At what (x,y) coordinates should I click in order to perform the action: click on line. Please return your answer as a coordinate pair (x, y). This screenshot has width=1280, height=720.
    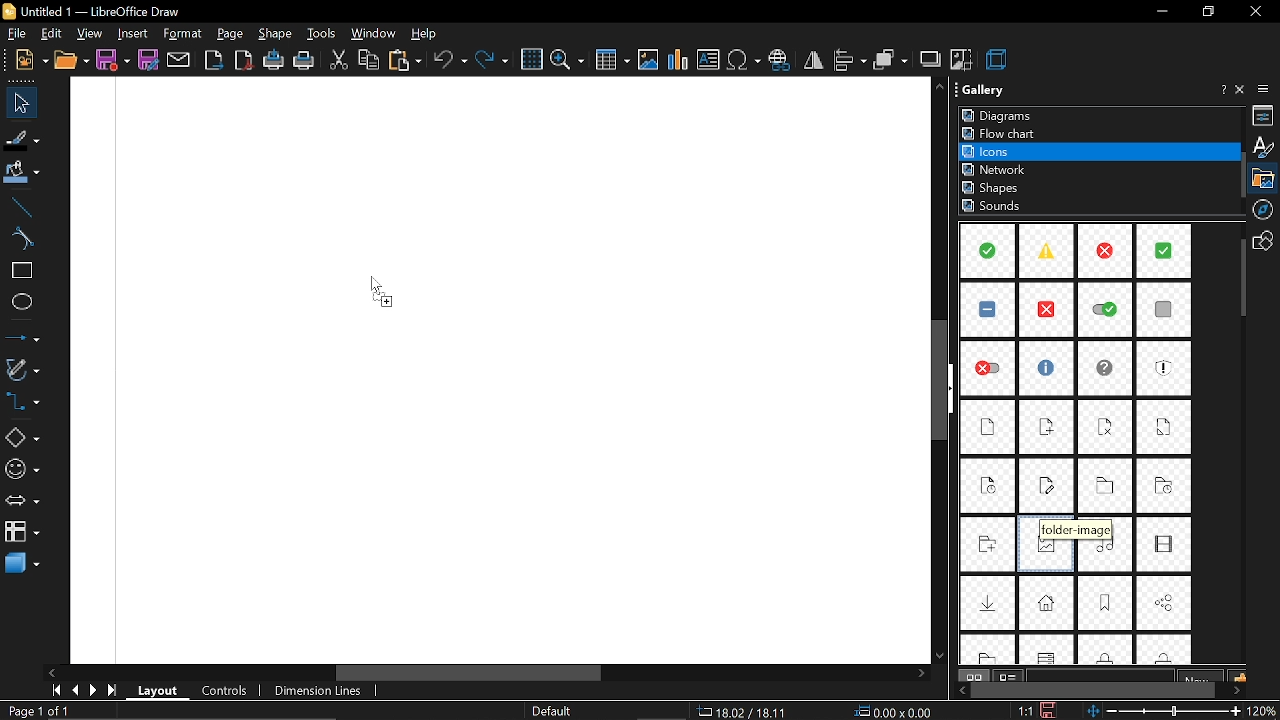
    Looking at the image, I should click on (18, 204).